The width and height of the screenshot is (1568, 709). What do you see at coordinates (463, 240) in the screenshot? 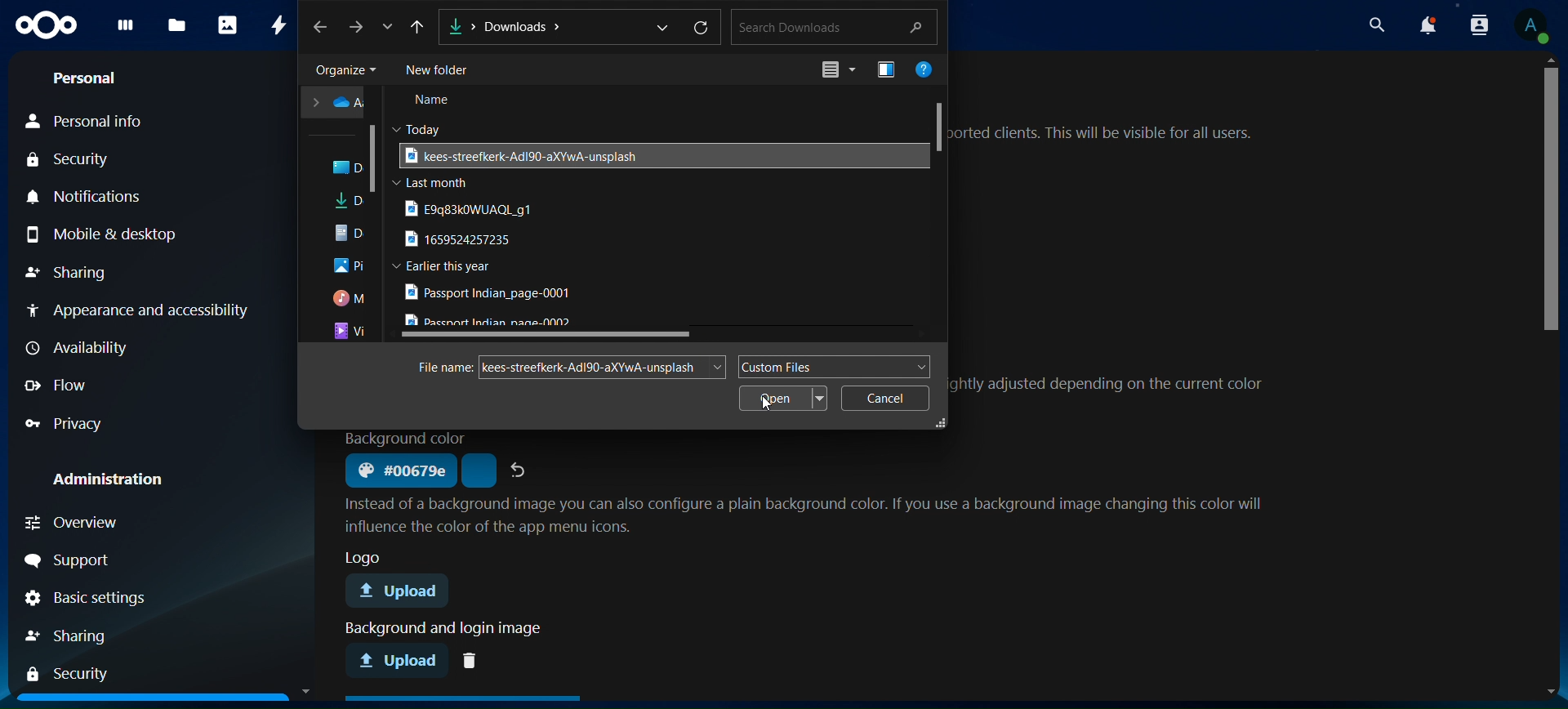
I see `file` at bounding box center [463, 240].